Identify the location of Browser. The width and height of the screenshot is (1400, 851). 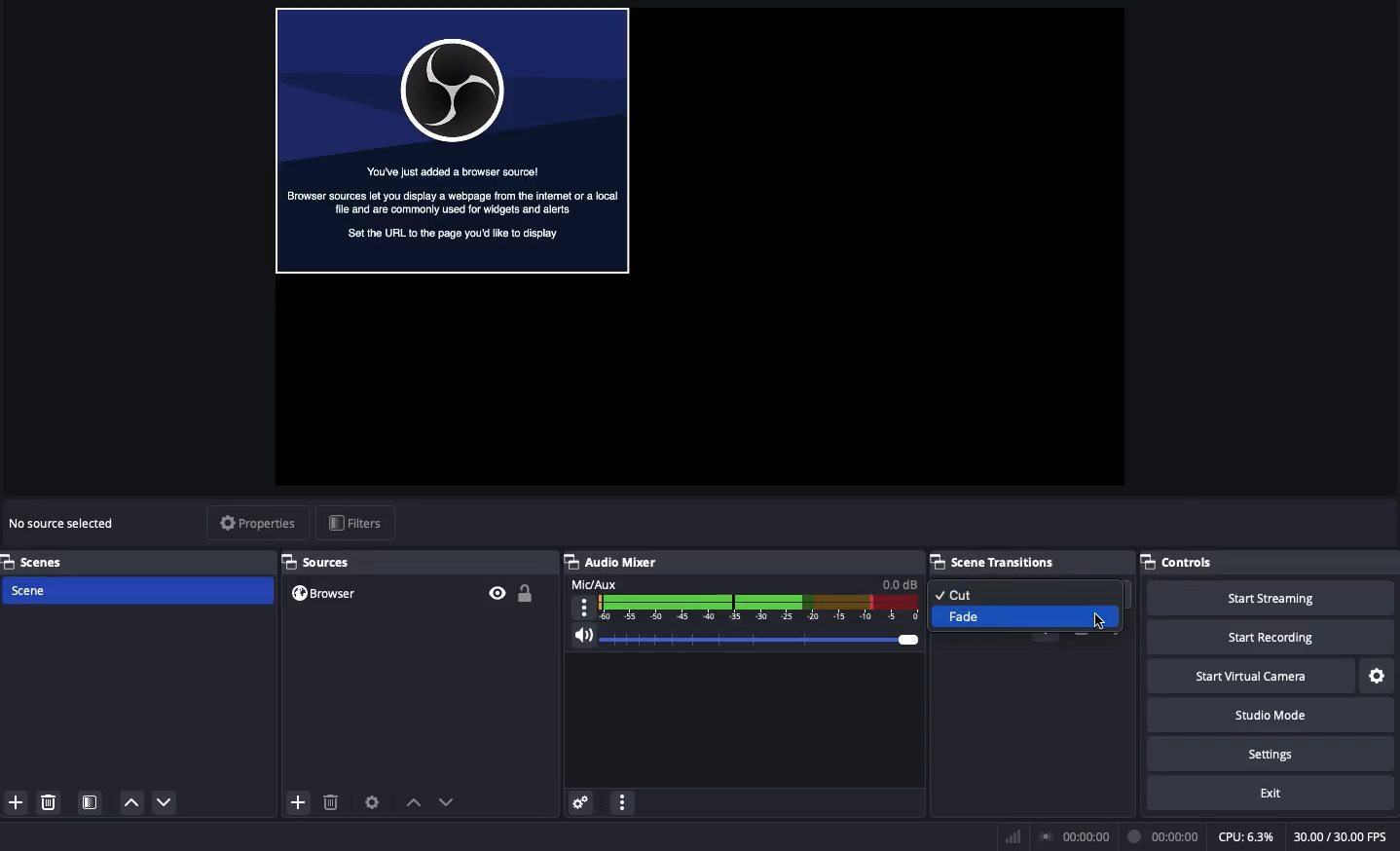
(327, 594).